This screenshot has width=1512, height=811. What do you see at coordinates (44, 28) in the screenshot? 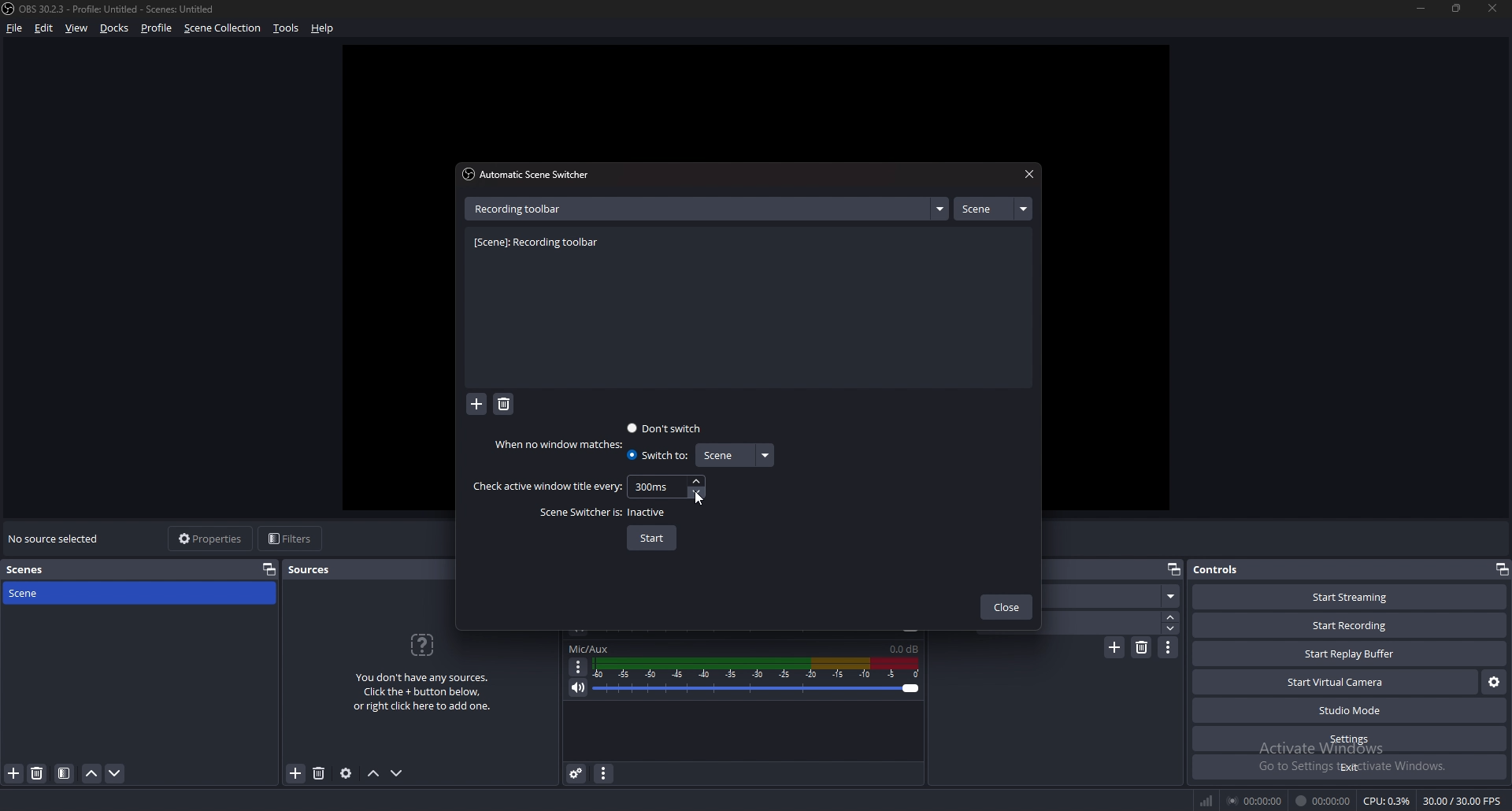
I see `edit` at bounding box center [44, 28].